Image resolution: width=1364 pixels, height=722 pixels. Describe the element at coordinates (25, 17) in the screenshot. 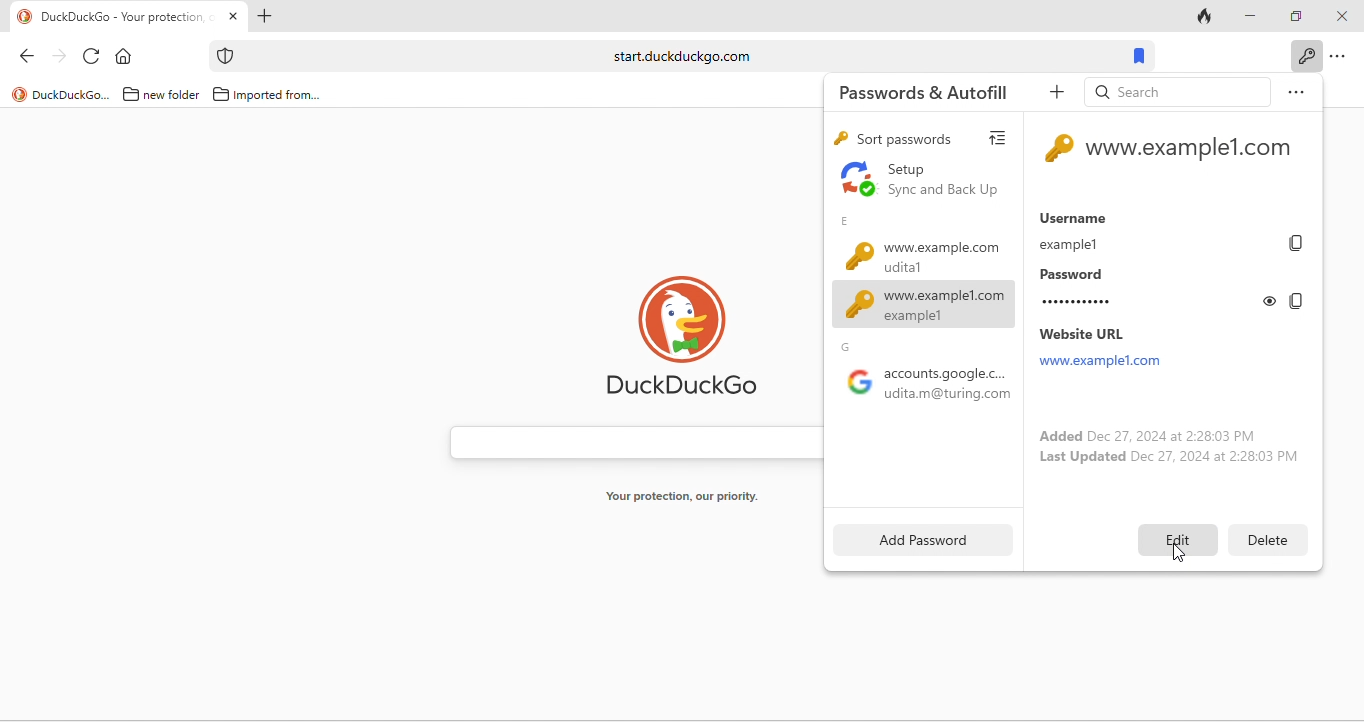

I see `logo` at that location.